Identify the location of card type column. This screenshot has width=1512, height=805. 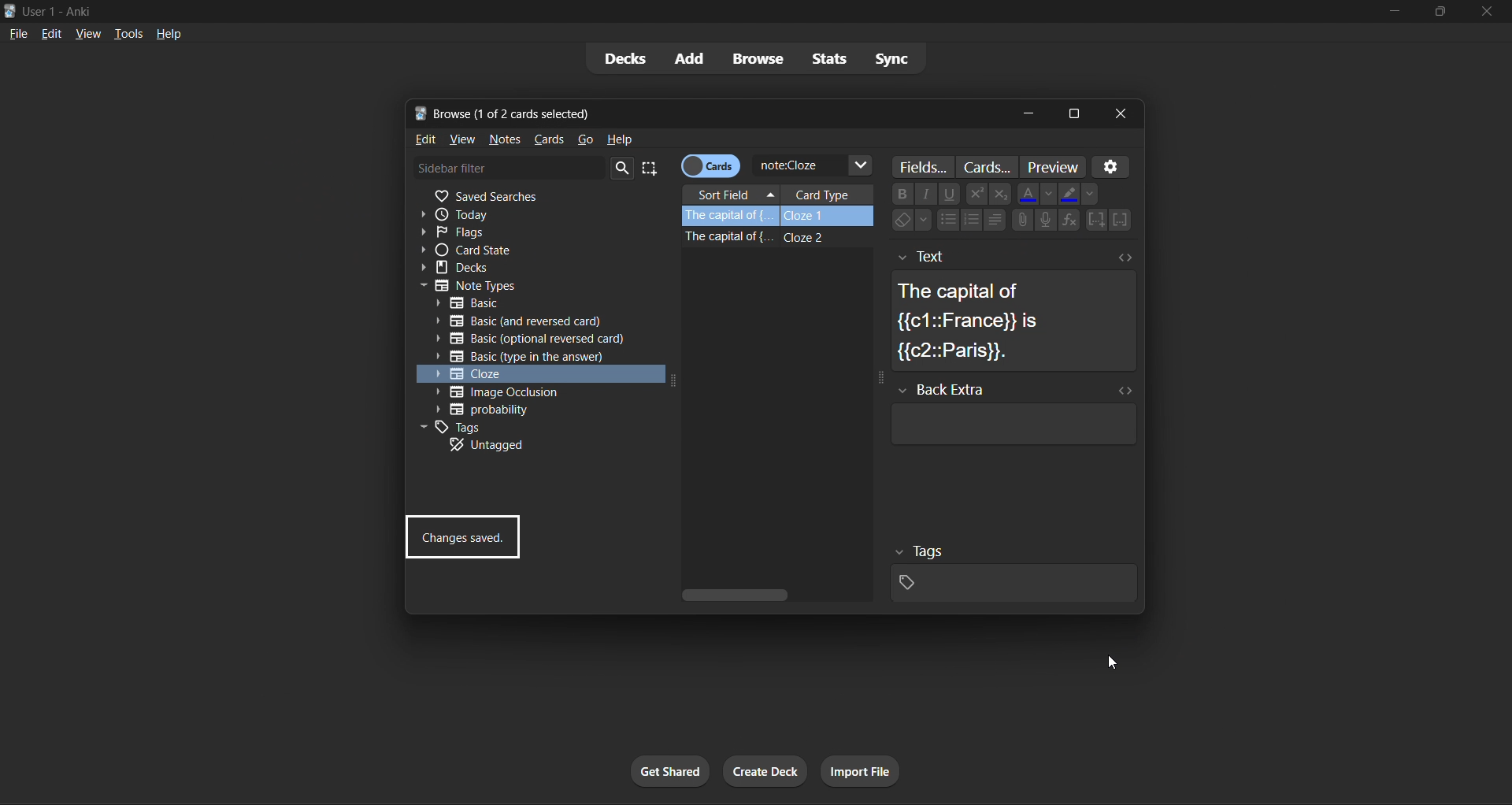
(828, 194).